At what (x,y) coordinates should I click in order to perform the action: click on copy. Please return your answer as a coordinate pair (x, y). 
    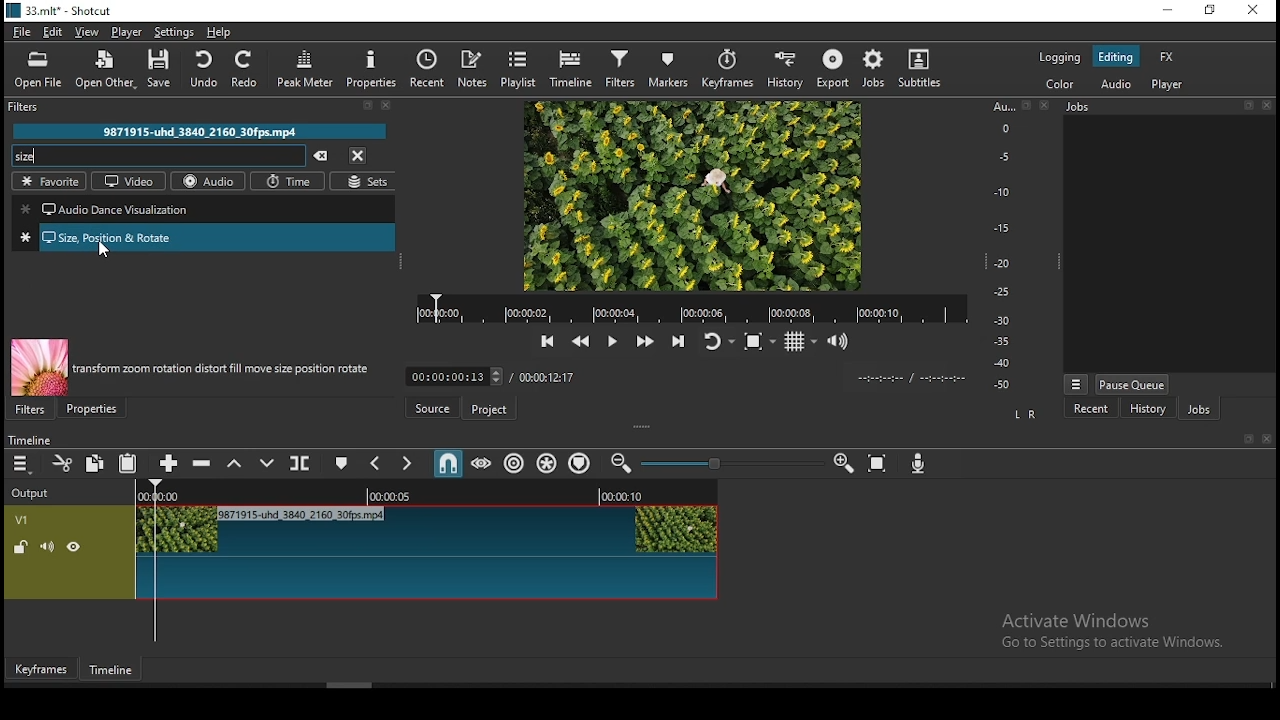
    Looking at the image, I should click on (95, 465).